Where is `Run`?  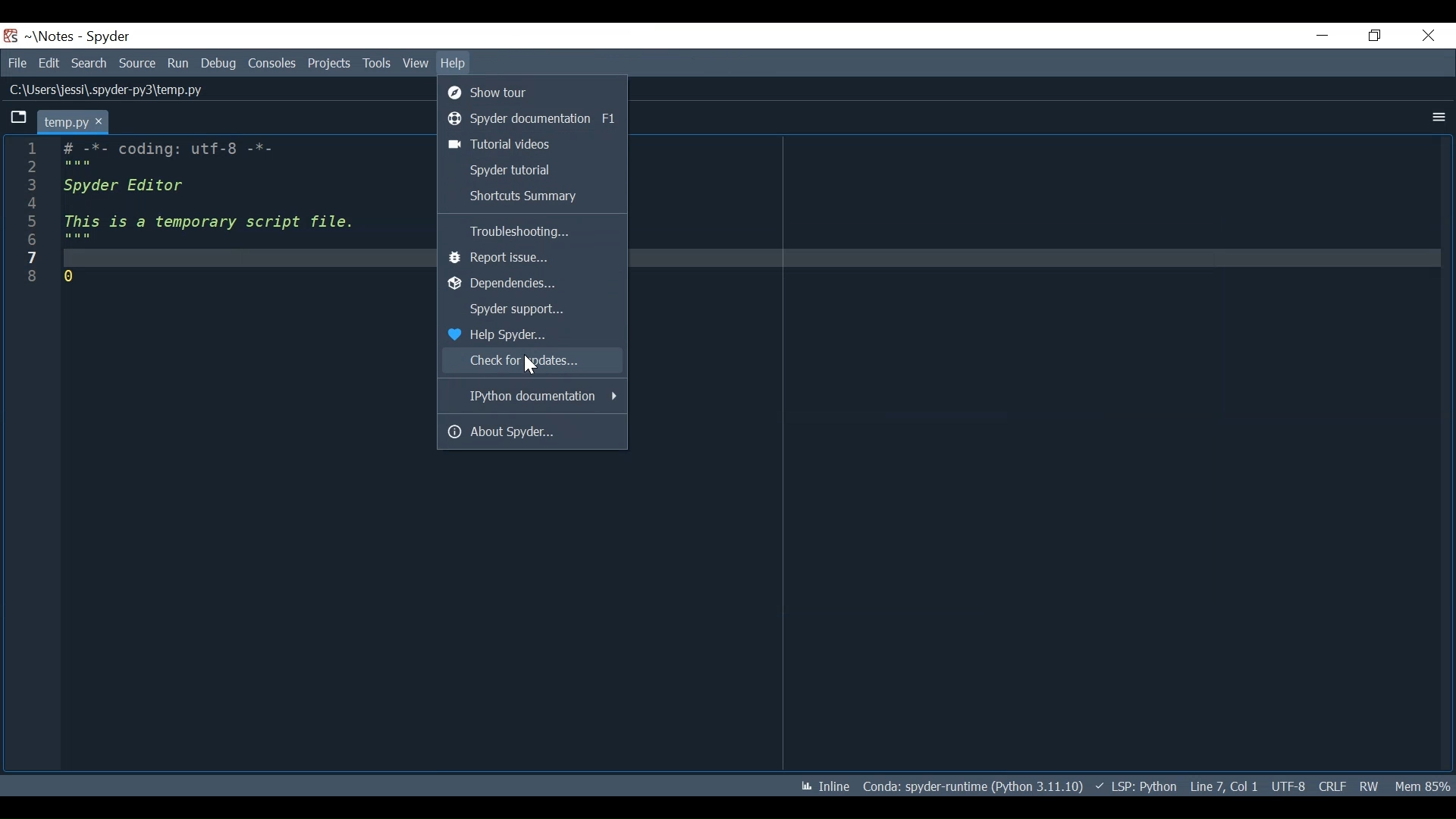 Run is located at coordinates (179, 64).